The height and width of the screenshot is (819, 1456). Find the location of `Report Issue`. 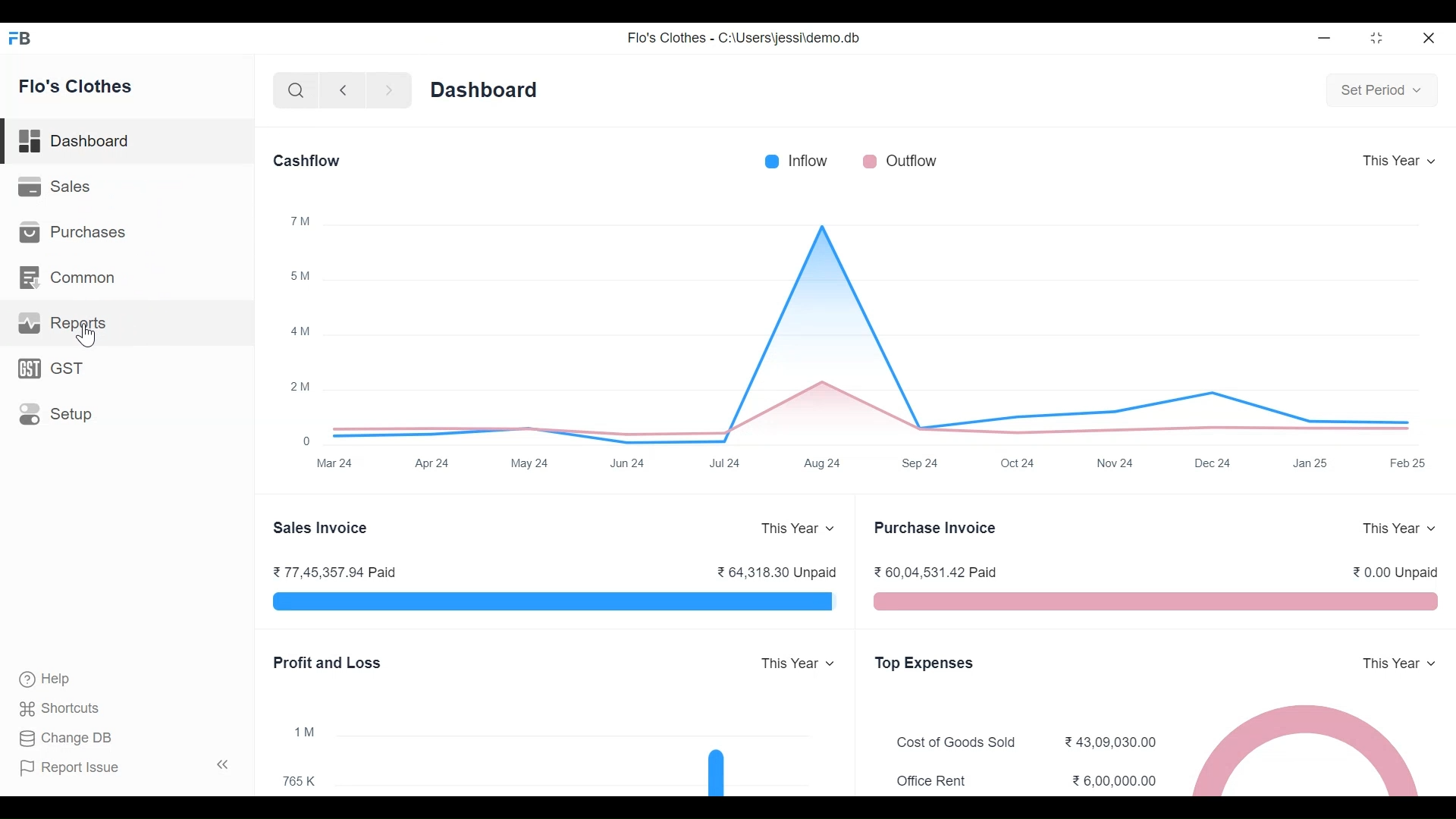

Report Issue is located at coordinates (130, 767).